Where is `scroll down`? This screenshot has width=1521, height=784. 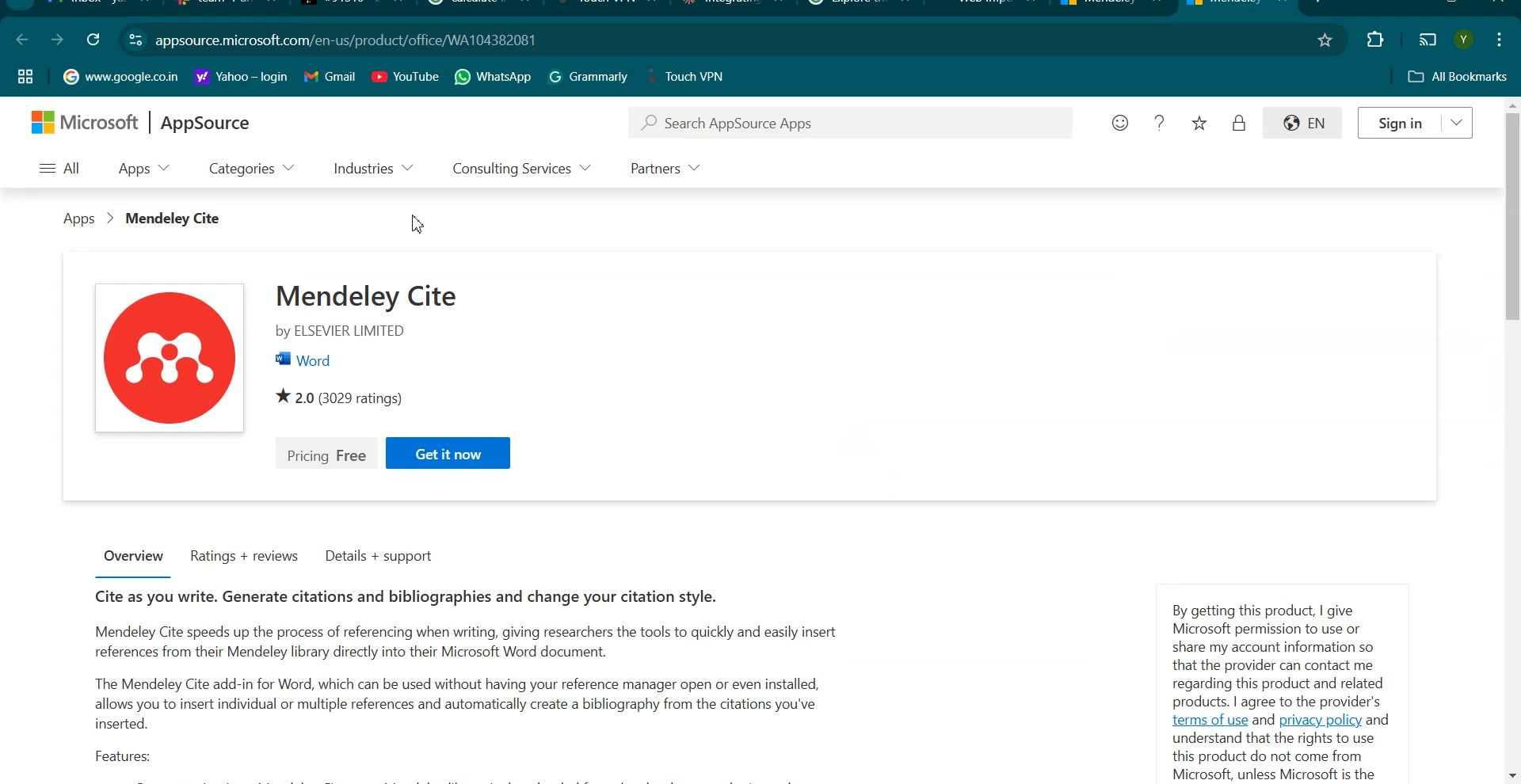 scroll down is located at coordinates (1511, 777).